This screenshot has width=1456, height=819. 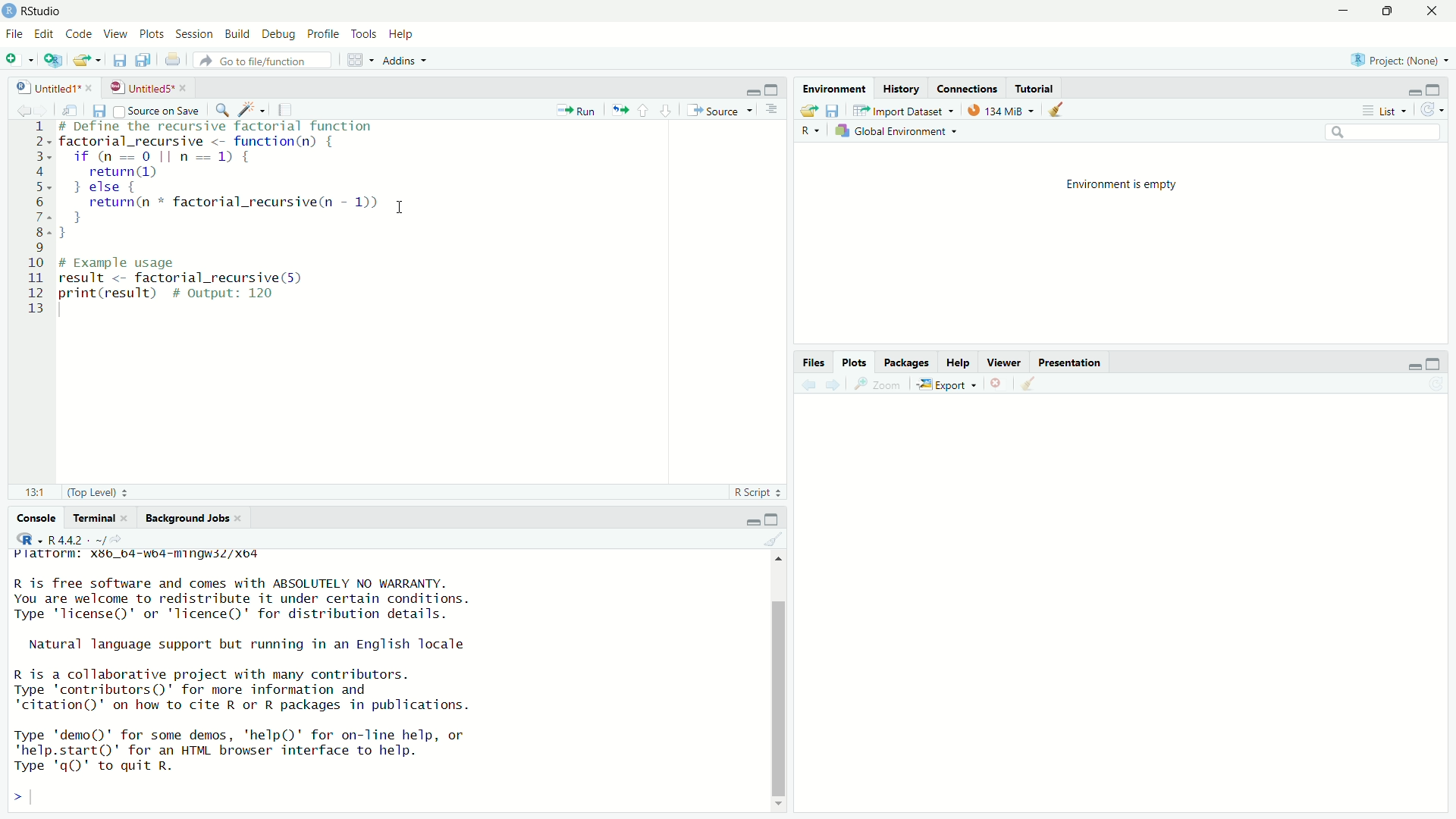 What do you see at coordinates (834, 86) in the screenshot?
I see `Environment` at bounding box center [834, 86].